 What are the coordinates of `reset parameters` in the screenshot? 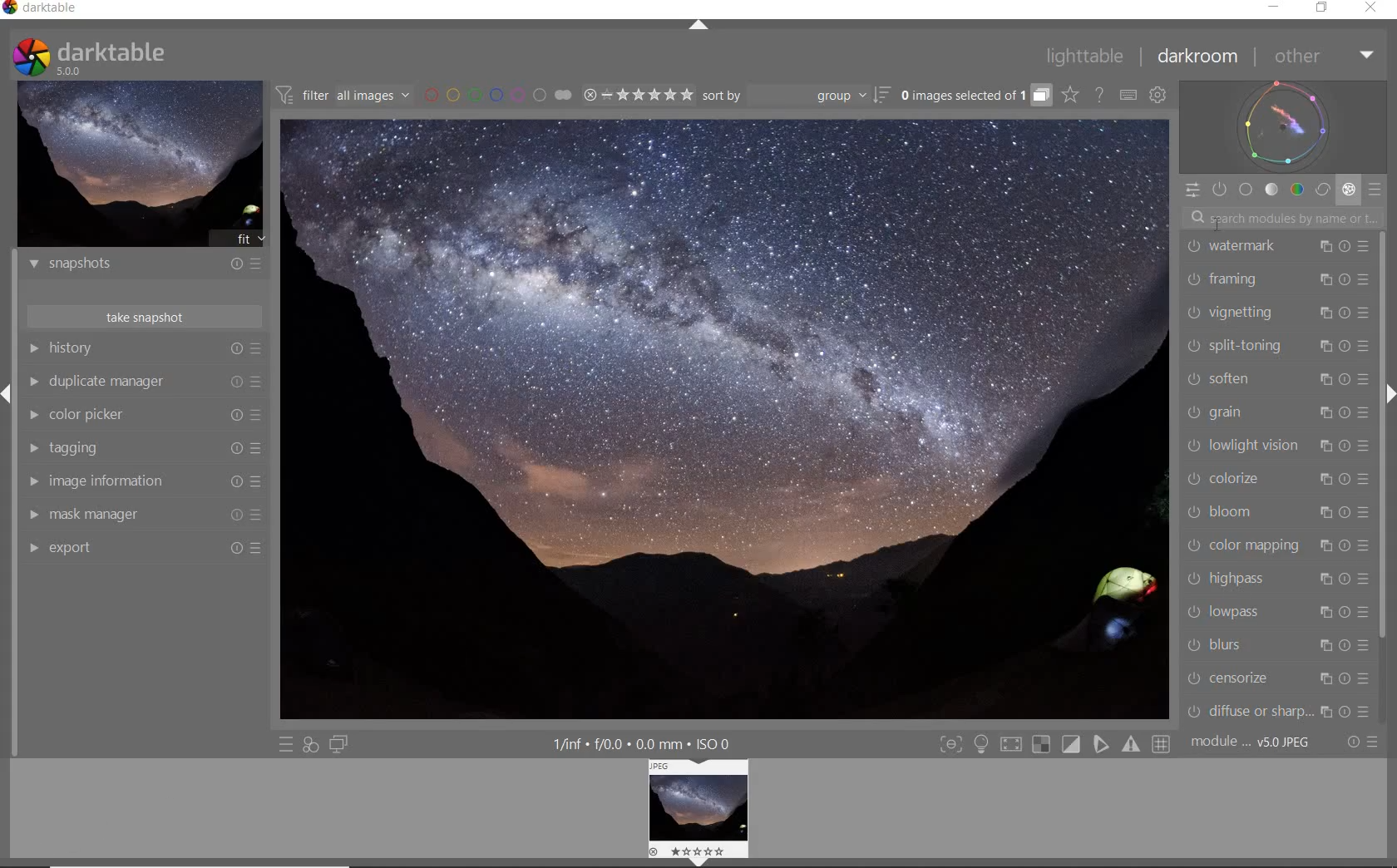 It's located at (1346, 278).